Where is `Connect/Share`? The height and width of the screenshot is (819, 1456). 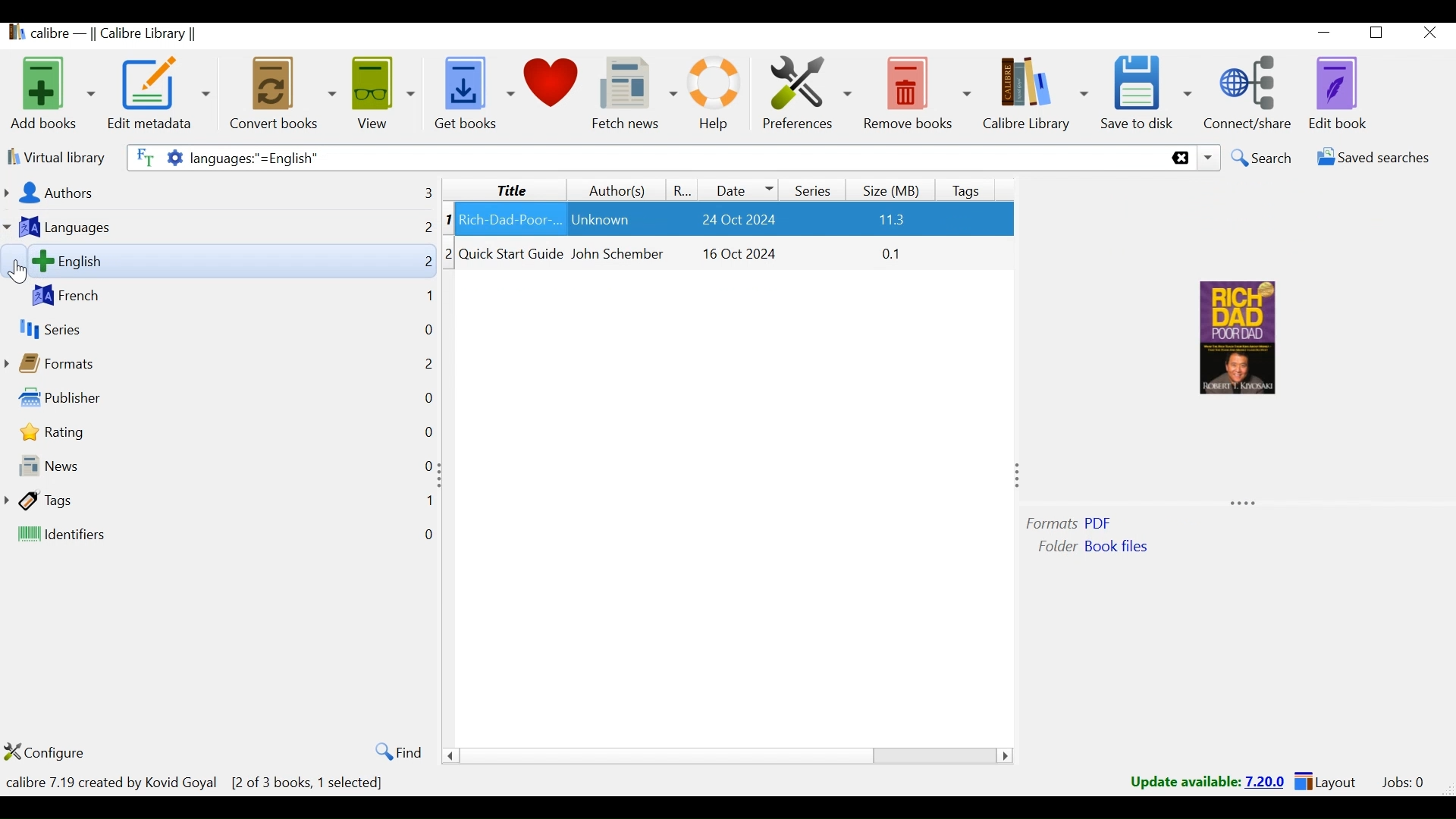
Connect/Share is located at coordinates (1252, 92).